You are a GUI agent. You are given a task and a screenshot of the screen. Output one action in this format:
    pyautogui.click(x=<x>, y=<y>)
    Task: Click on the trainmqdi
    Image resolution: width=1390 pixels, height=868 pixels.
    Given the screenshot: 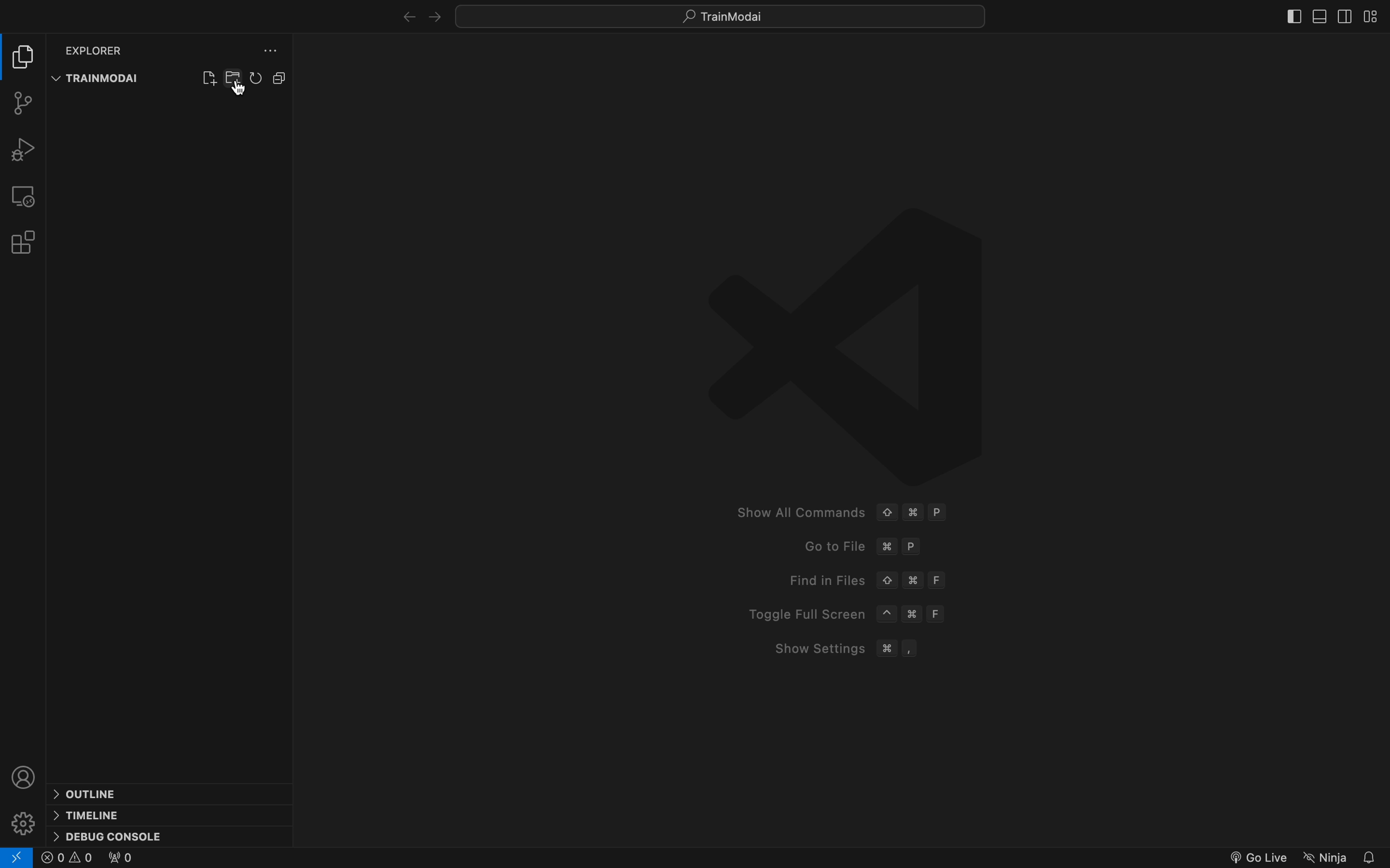 What is the action you would take?
    pyautogui.click(x=98, y=78)
    